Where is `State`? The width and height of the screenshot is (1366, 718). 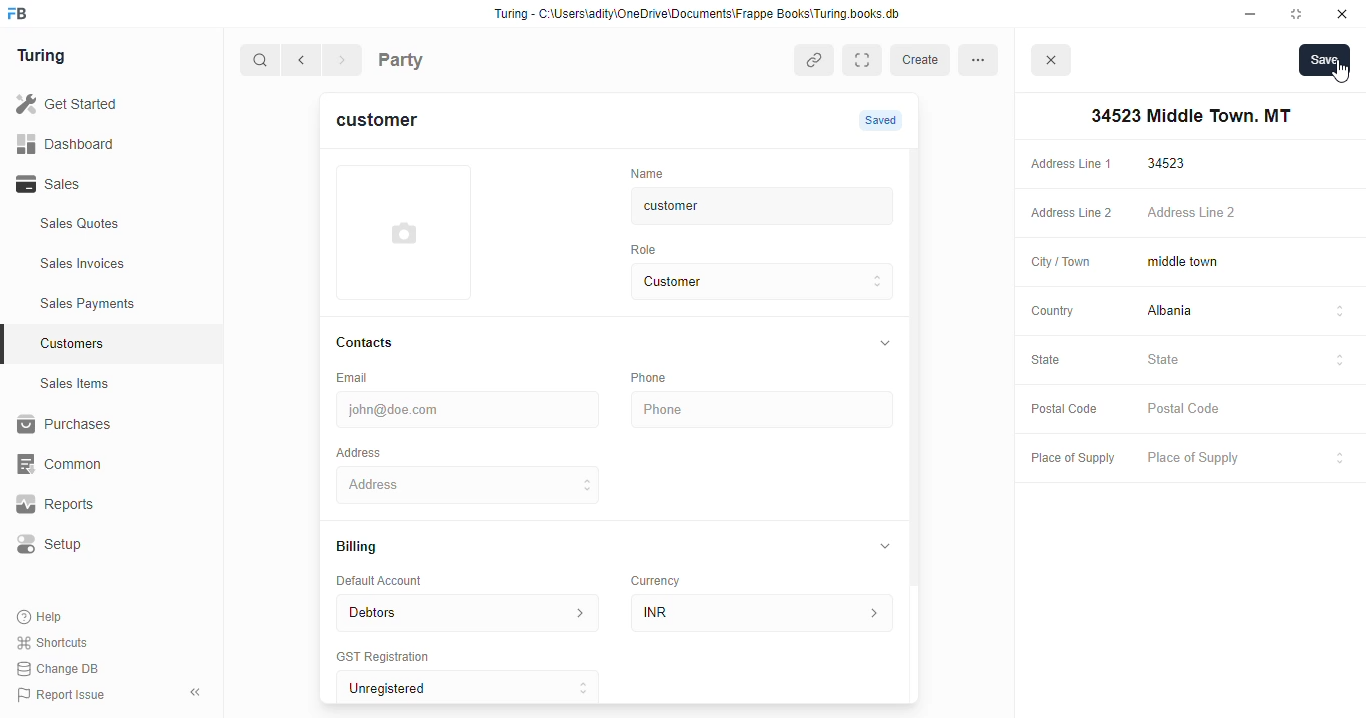 State is located at coordinates (1247, 360).